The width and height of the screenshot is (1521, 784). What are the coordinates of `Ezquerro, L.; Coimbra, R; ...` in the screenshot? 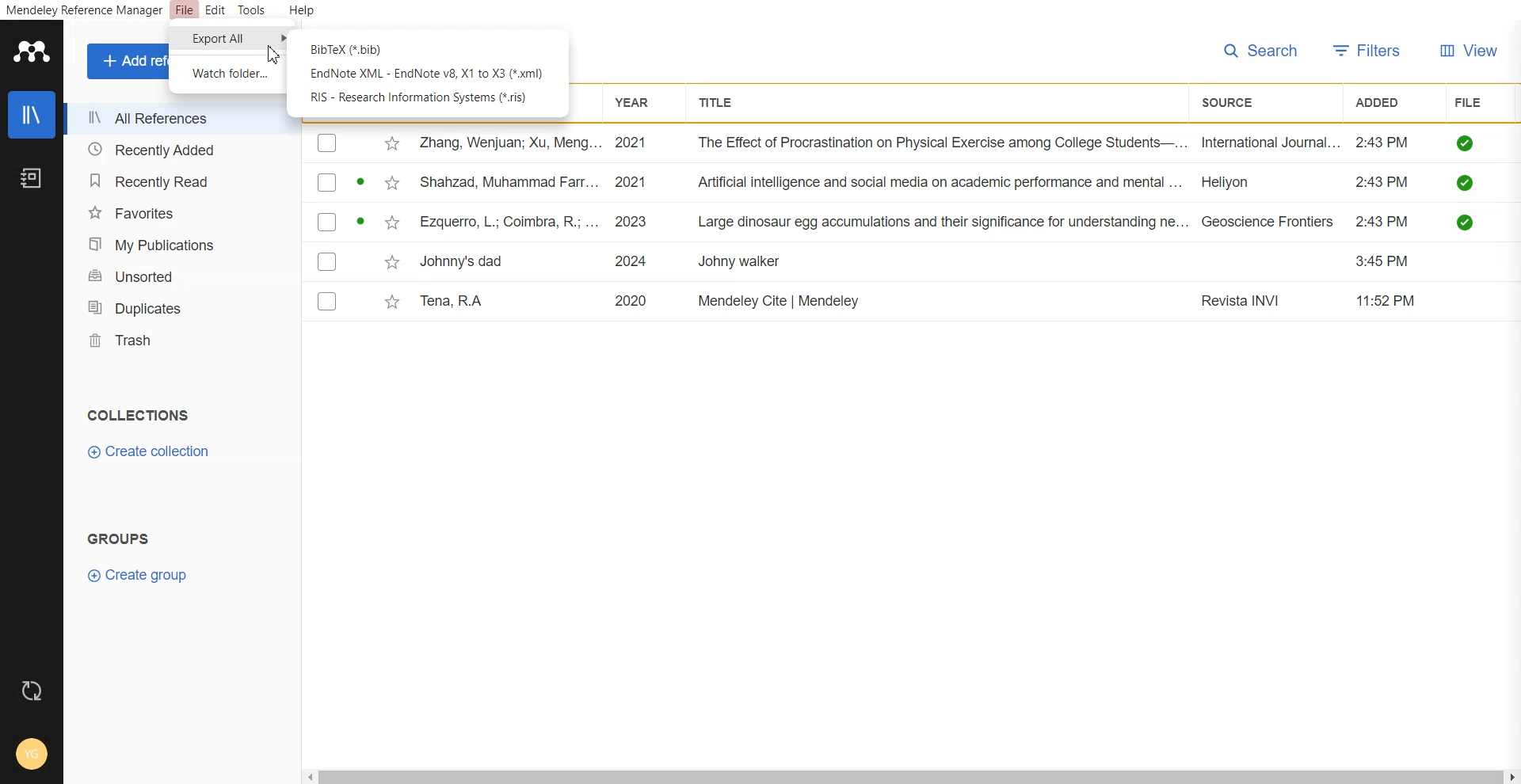 It's located at (509, 221).